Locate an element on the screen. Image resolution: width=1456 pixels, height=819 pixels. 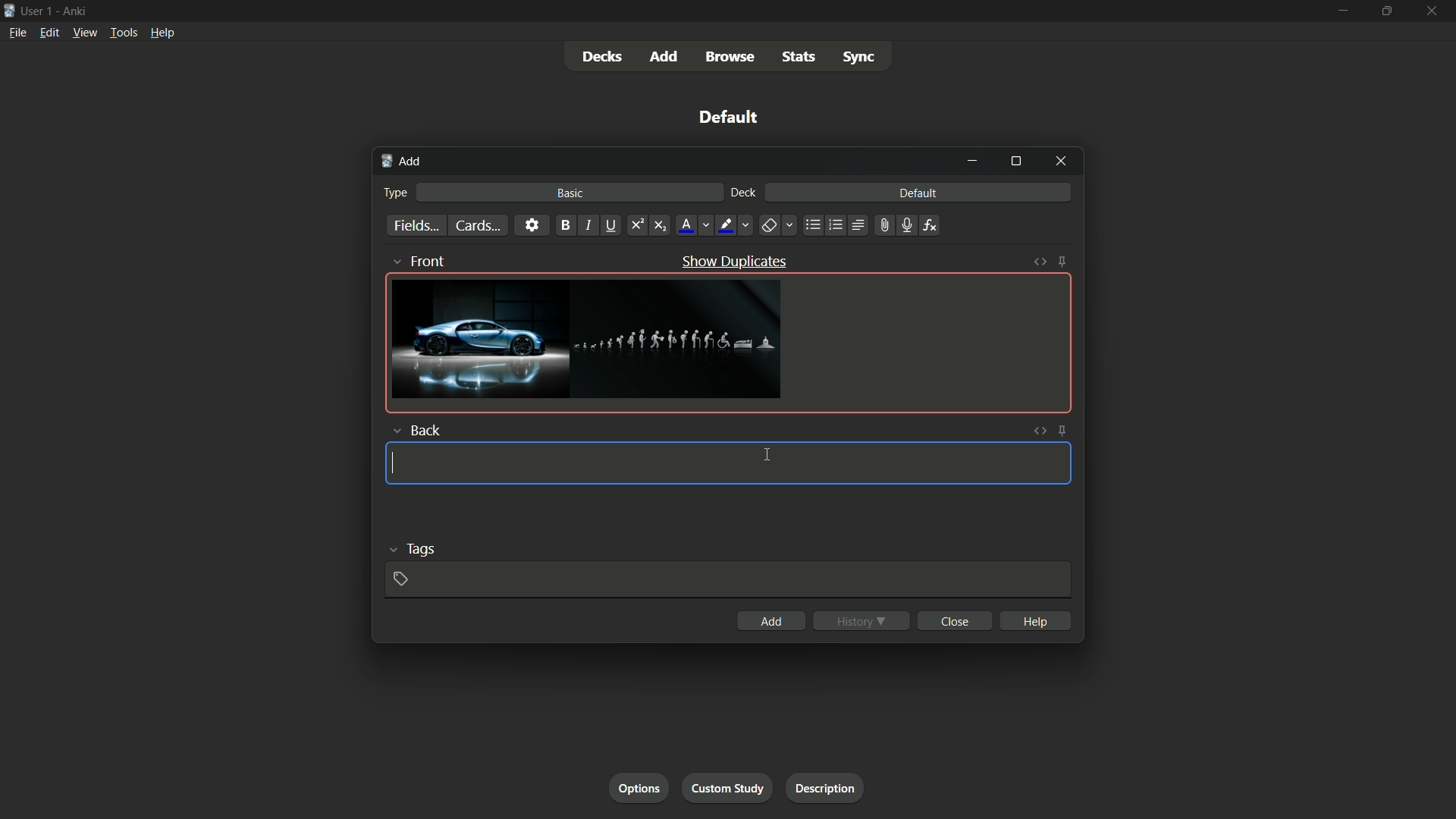
back is located at coordinates (416, 430).